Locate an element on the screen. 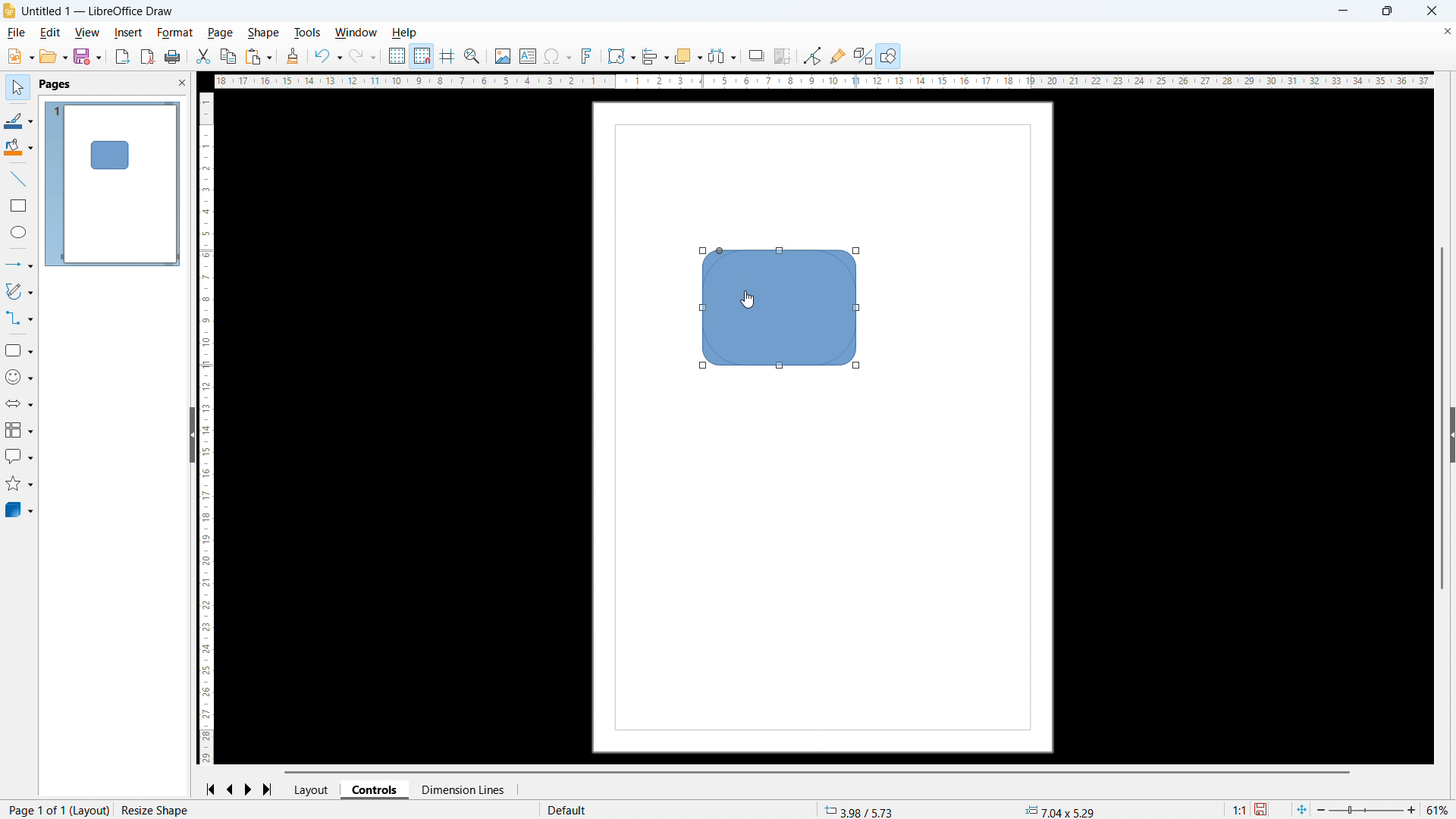  maximise  is located at coordinates (1386, 11).